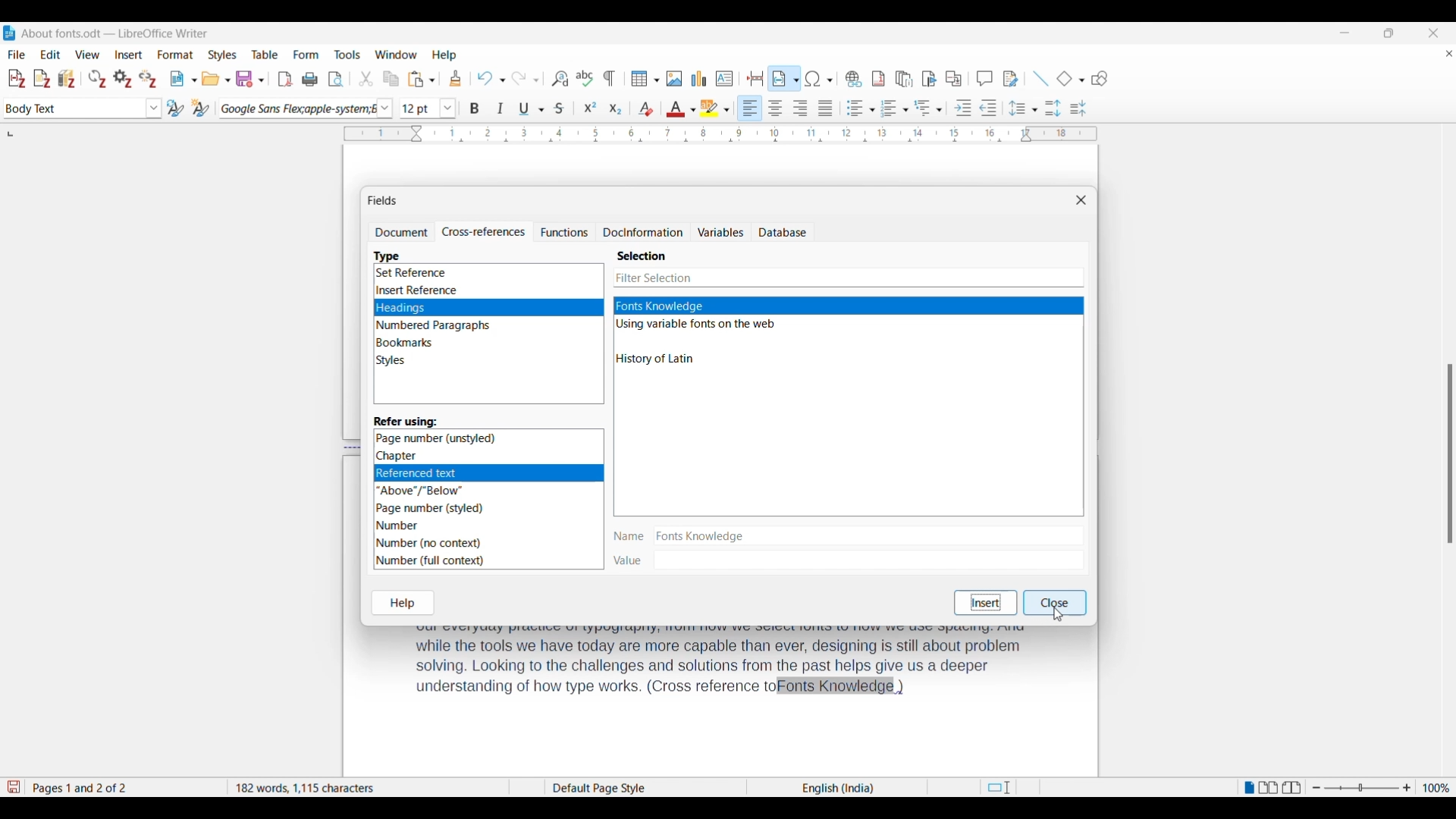 This screenshot has width=1456, height=819. I want to click on Insert image, so click(674, 79).